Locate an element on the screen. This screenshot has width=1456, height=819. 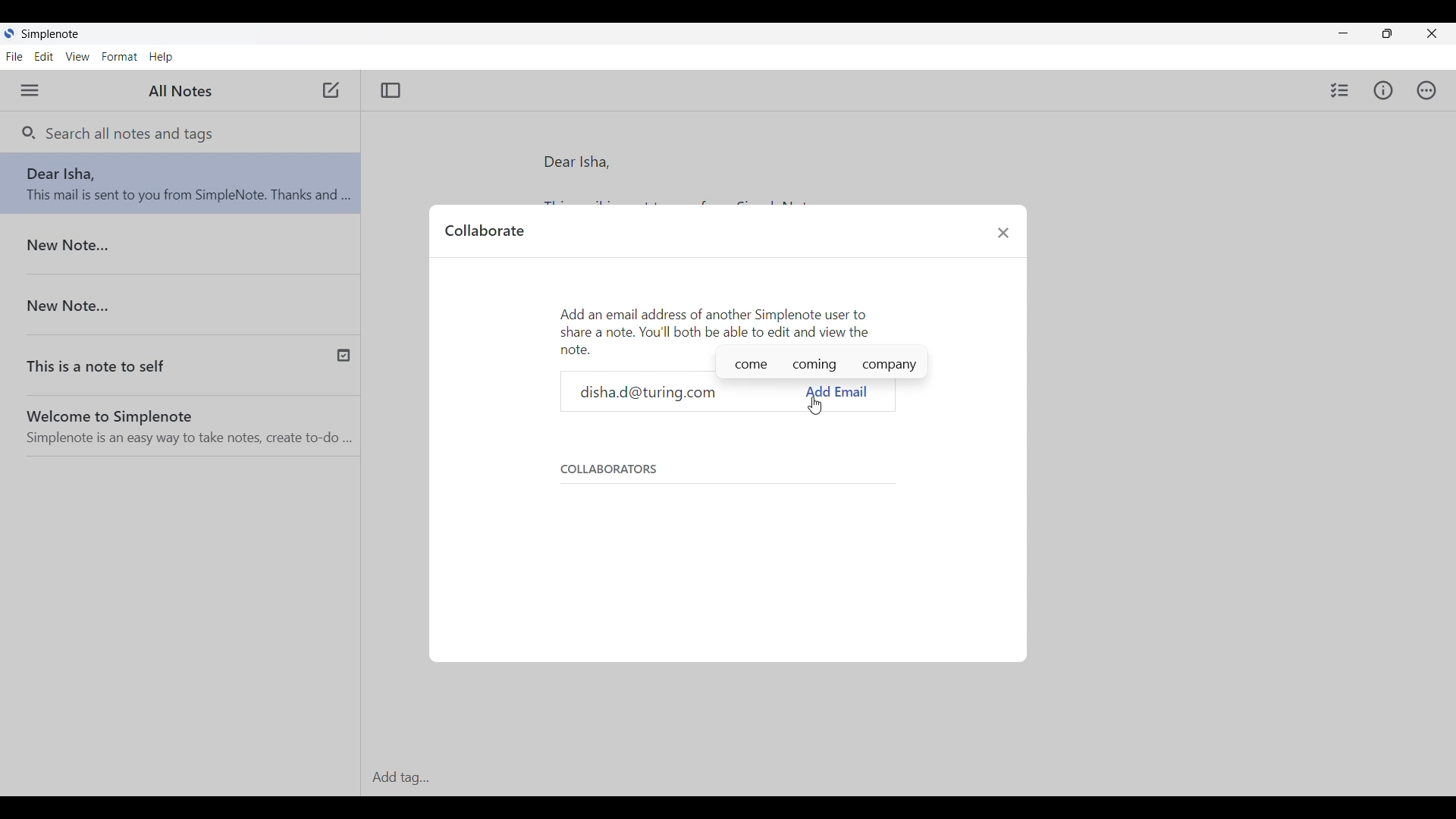
Collaborate is located at coordinates (484, 230).